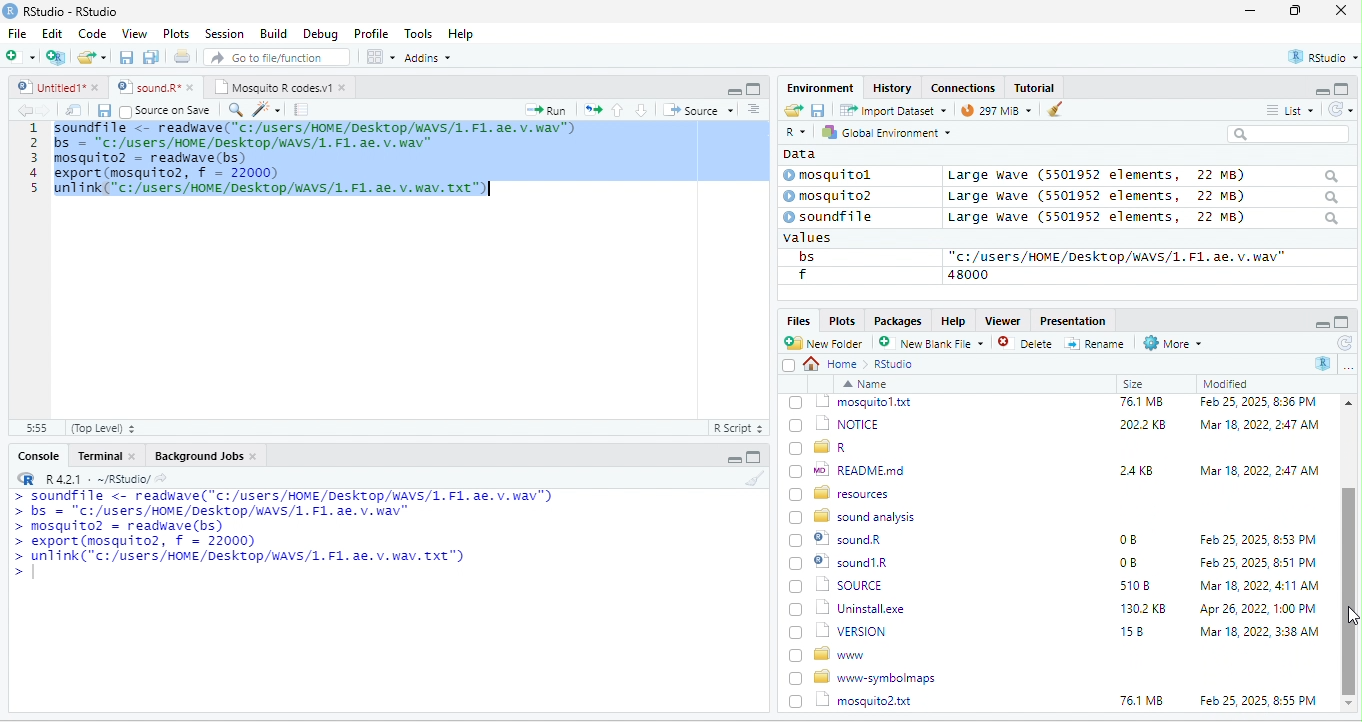 The height and width of the screenshot is (722, 1362). I want to click on 31:55, so click(34, 428).